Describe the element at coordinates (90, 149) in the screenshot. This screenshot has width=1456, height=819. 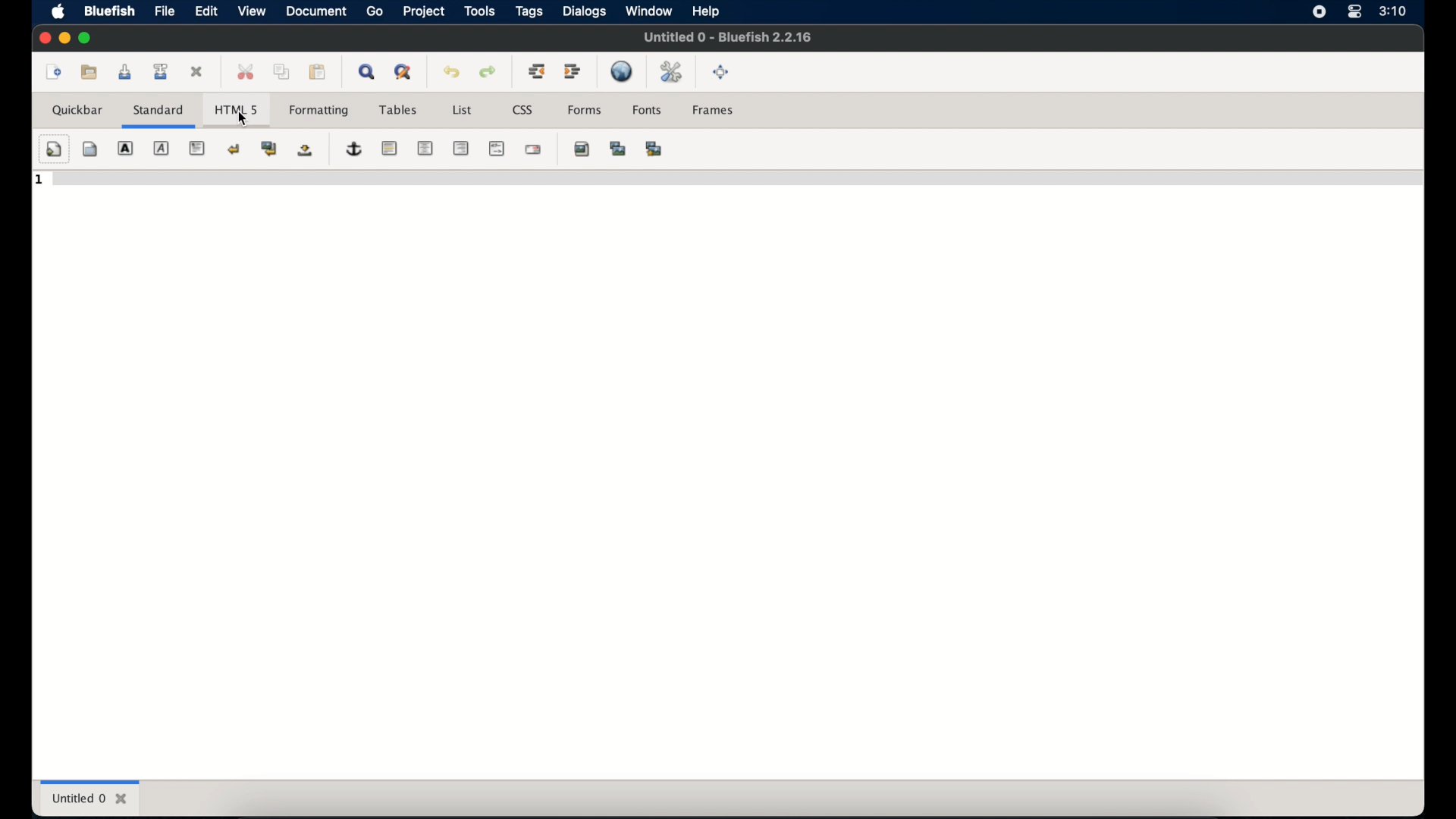
I see `body` at that location.